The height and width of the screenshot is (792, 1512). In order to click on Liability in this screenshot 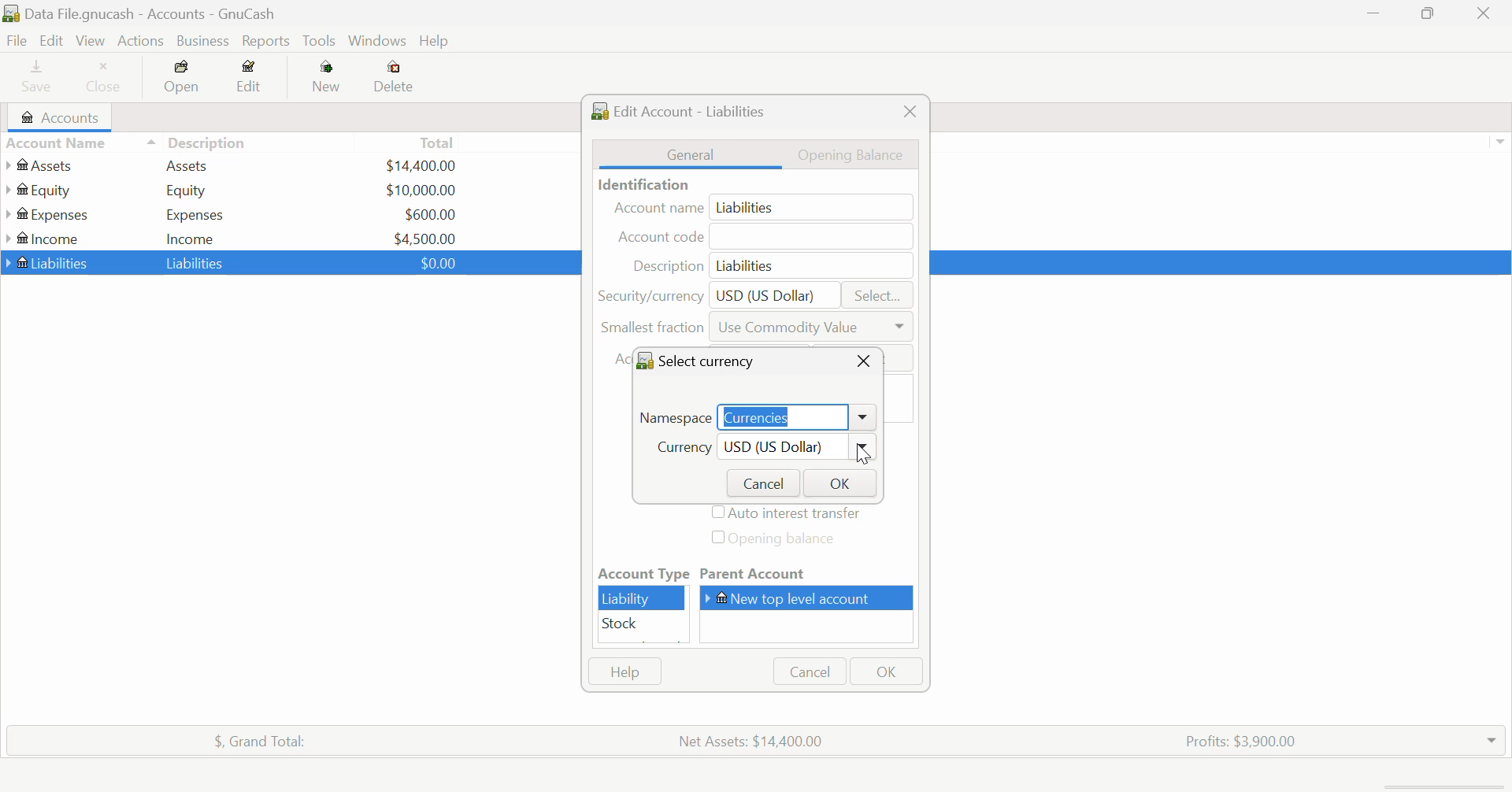, I will do `click(643, 598)`.